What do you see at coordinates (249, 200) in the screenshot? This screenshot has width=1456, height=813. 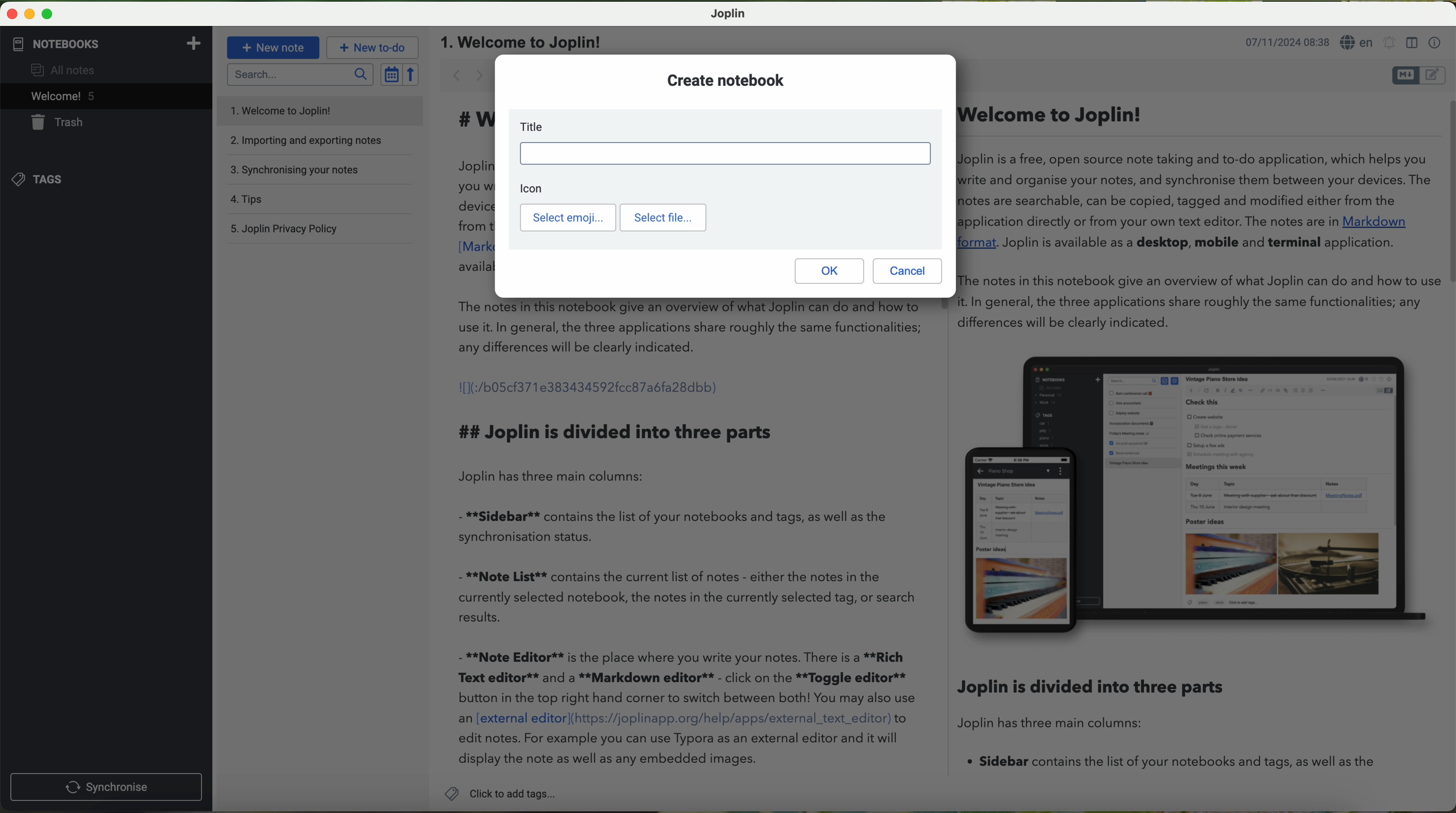 I see `tips` at bounding box center [249, 200].